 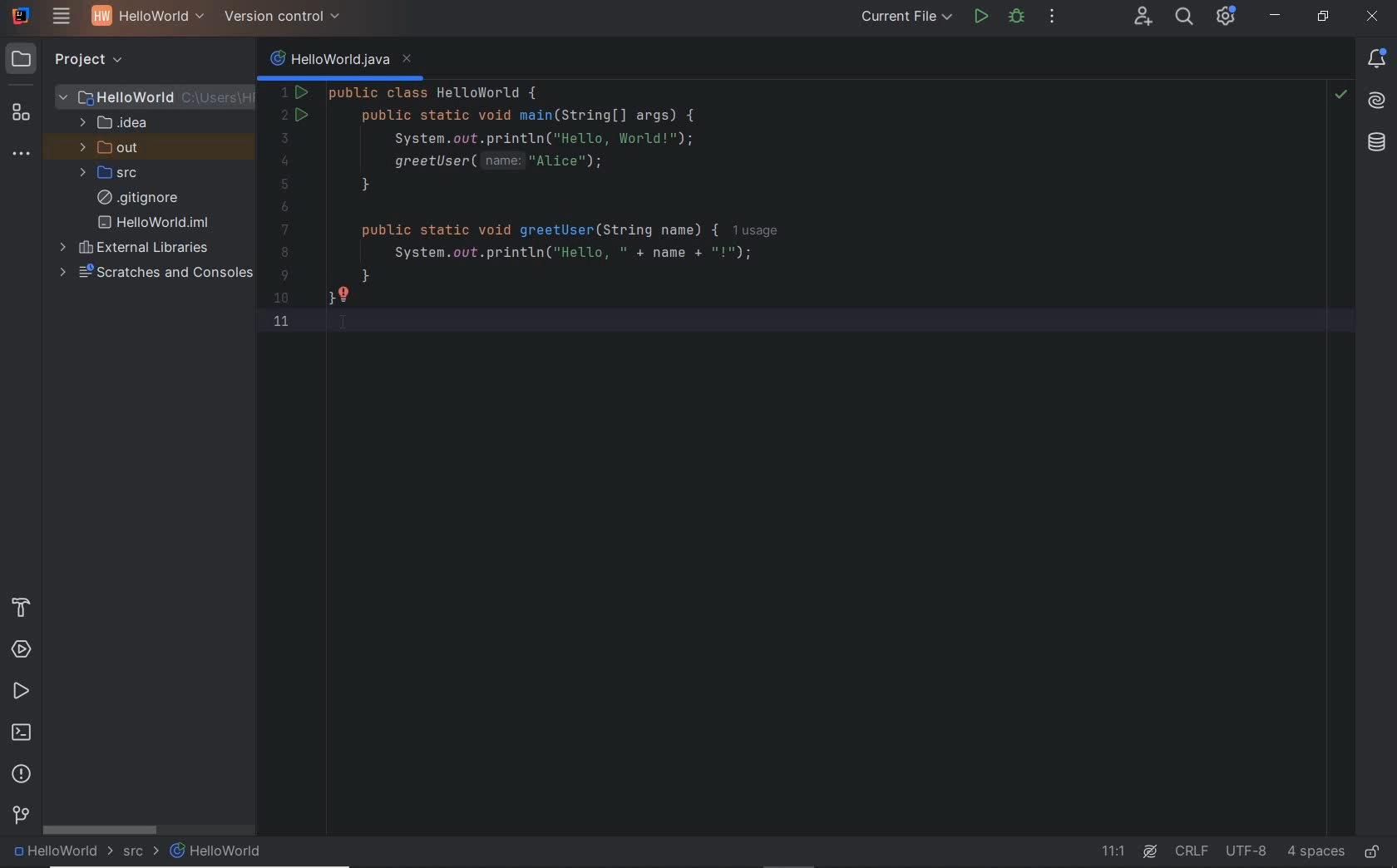 I want to click on debug, so click(x=1018, y=18).